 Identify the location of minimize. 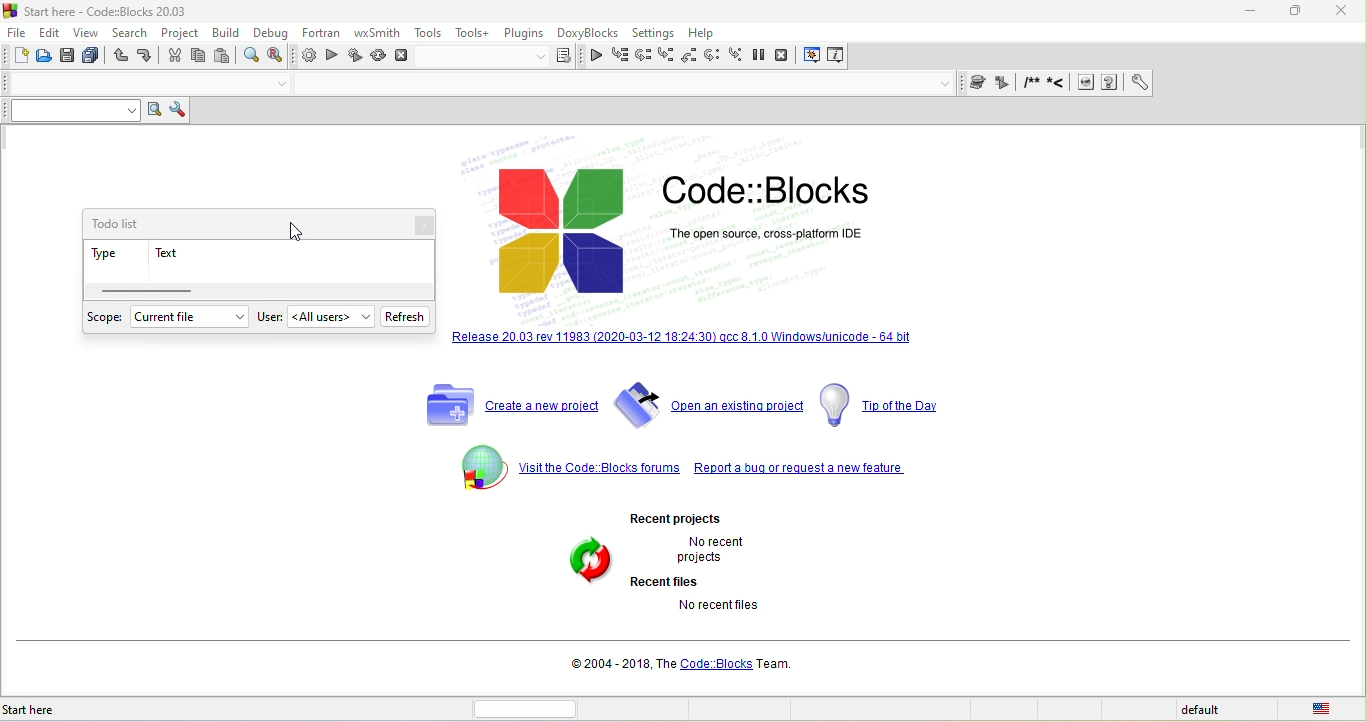
(1253, 11).